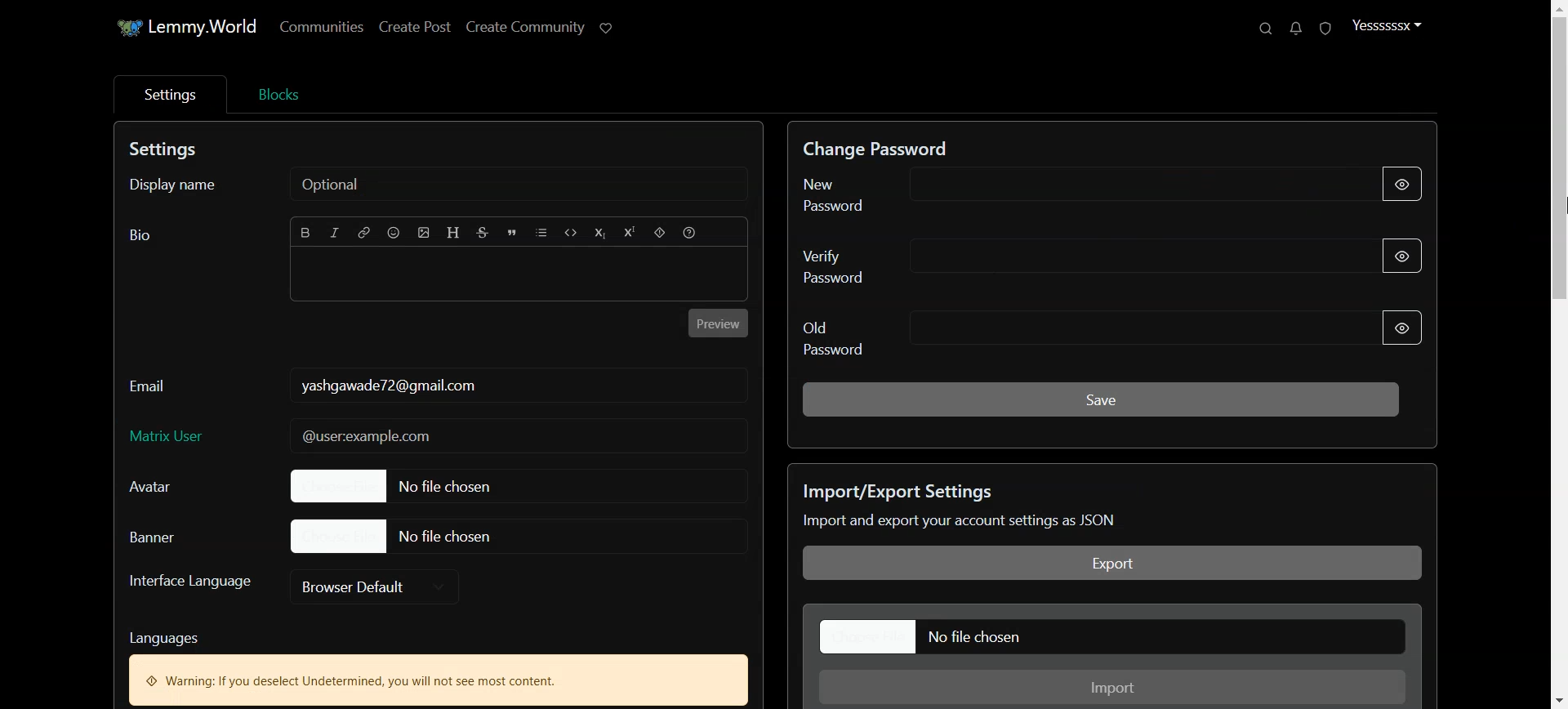 The image size is (1568, 709). Describe the element at coordinates (1326, 28) in the screenshot. I see `Unread report` at that location.